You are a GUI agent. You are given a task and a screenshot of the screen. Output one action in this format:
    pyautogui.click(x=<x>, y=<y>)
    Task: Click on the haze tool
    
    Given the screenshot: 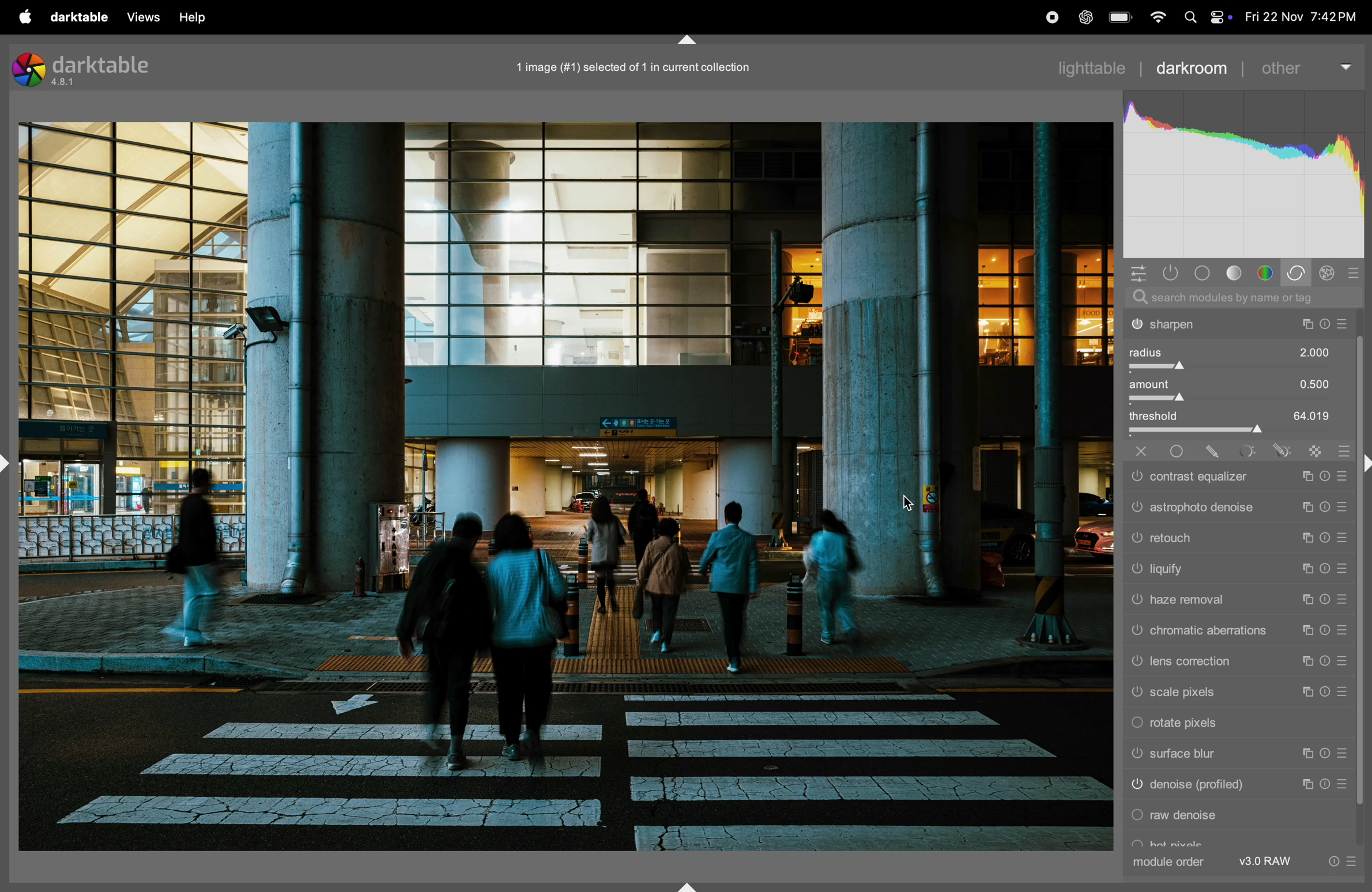 What is the action you would take?
    pyautogui.click(x=1235, y=600)
    